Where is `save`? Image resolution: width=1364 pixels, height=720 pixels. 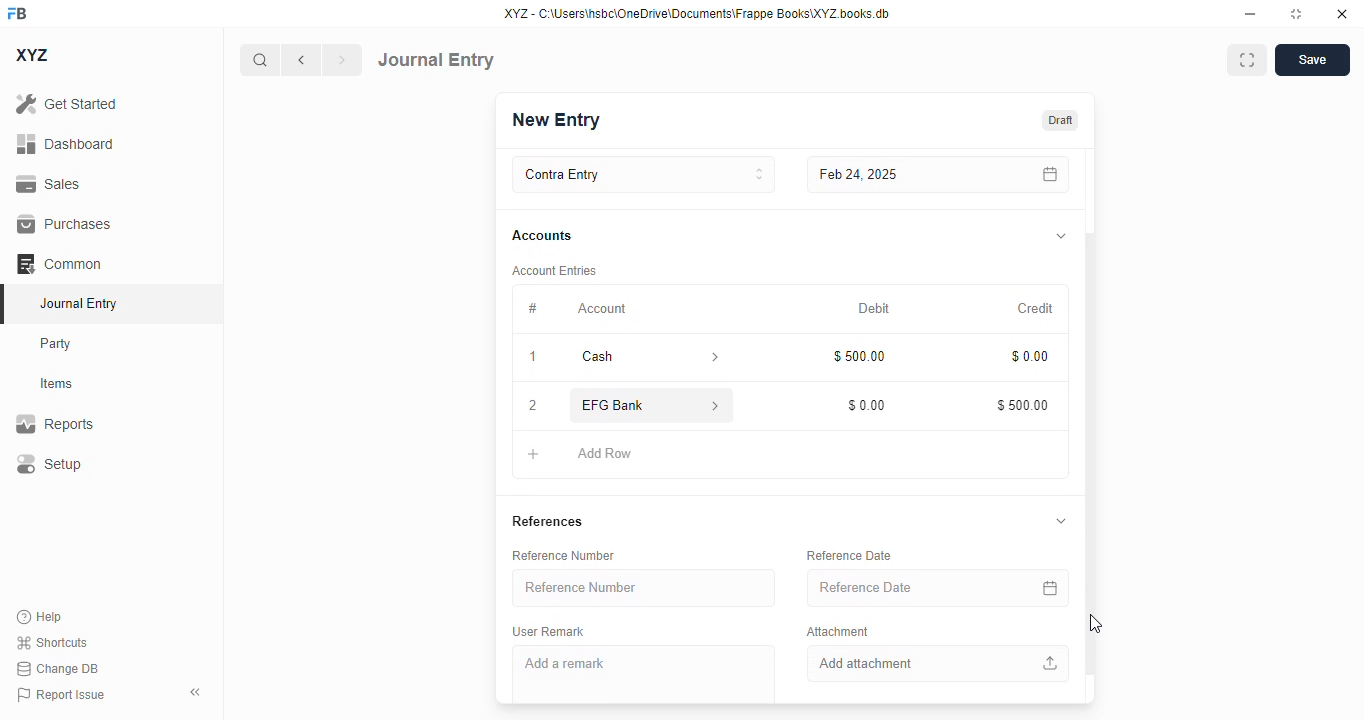
save is located at coordinates (1312, 60).